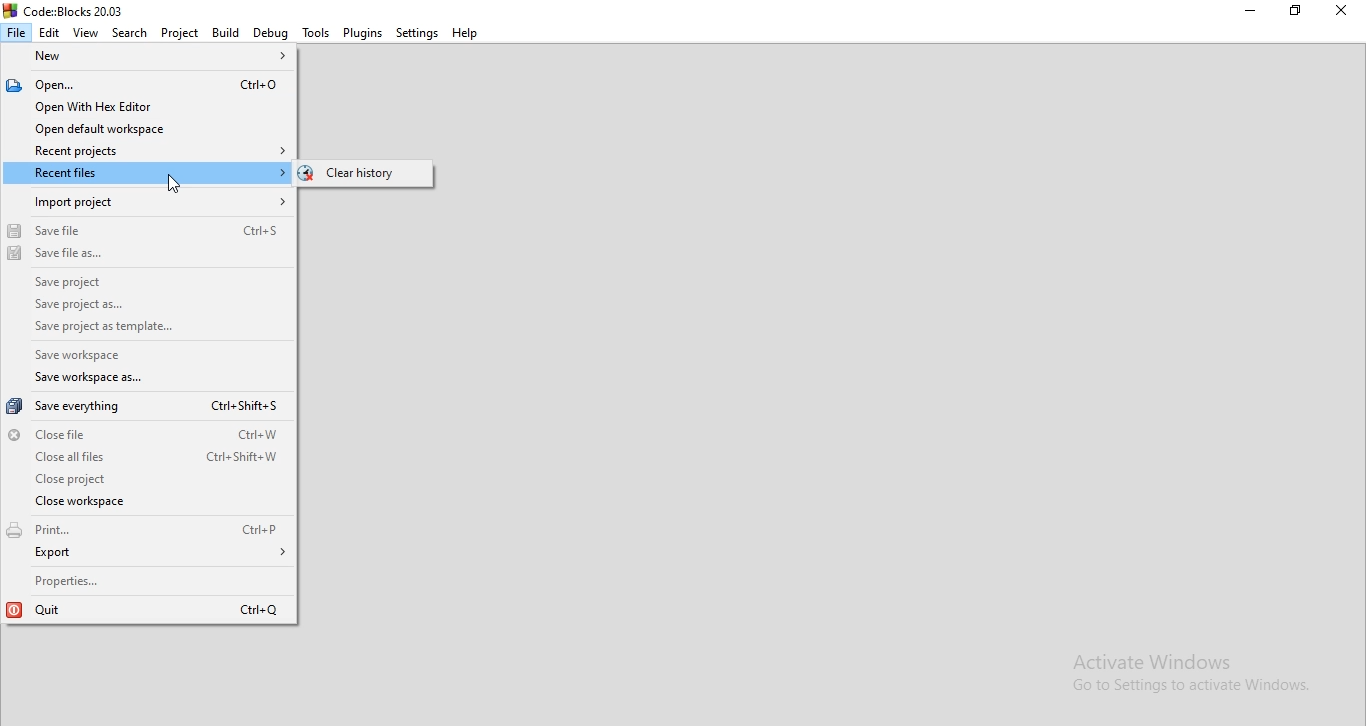 The height and width of the screenshot is (726, 1366). What do you see at coordinates (146, 457) in the screenshot?
I see `Close all files` at bounding box center [146, 457].